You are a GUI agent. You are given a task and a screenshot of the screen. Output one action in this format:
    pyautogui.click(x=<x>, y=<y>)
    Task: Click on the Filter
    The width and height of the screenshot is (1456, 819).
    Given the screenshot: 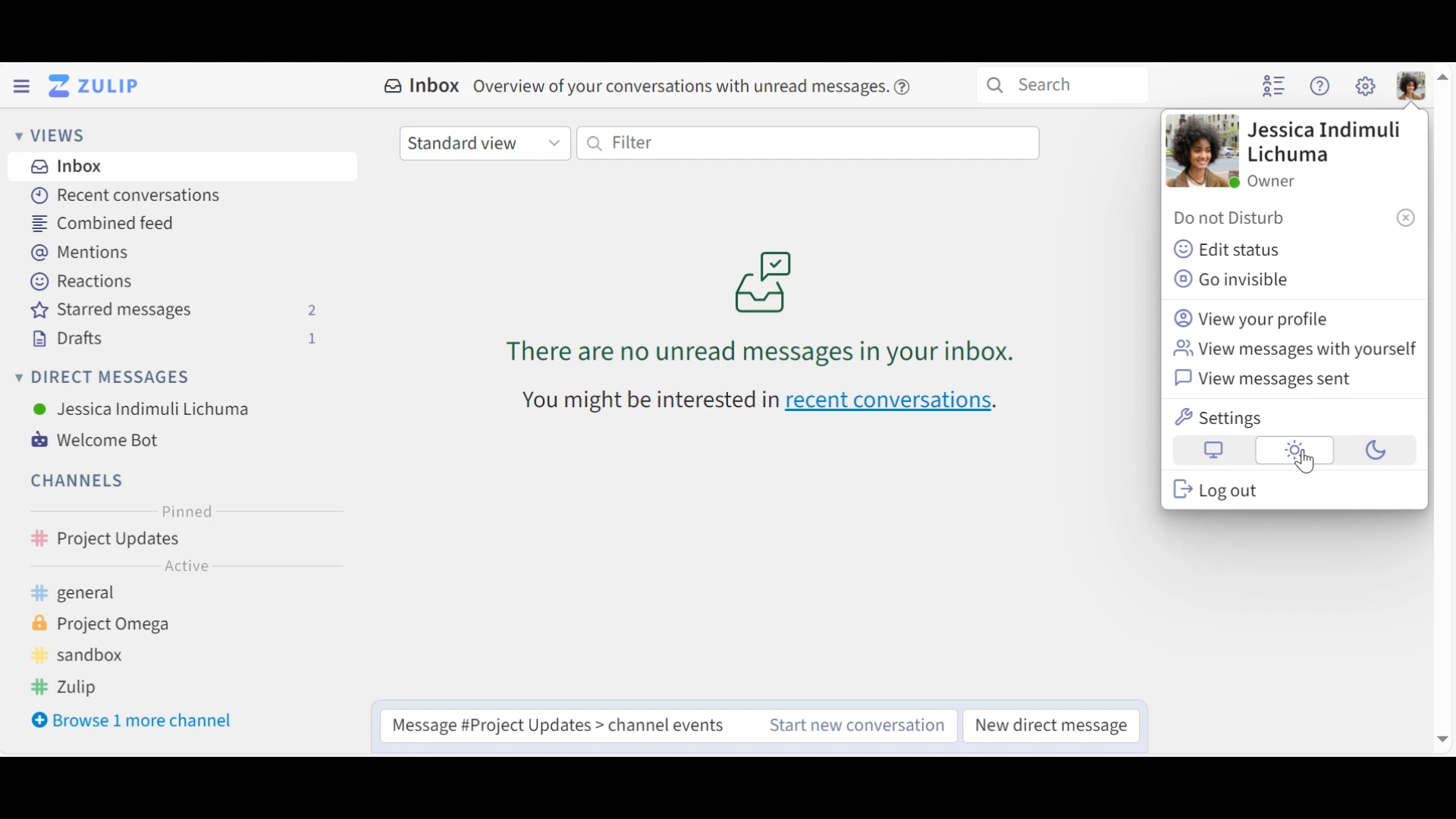 What is the action you would take?
    pyautogui.click(x=807, y=143)
    